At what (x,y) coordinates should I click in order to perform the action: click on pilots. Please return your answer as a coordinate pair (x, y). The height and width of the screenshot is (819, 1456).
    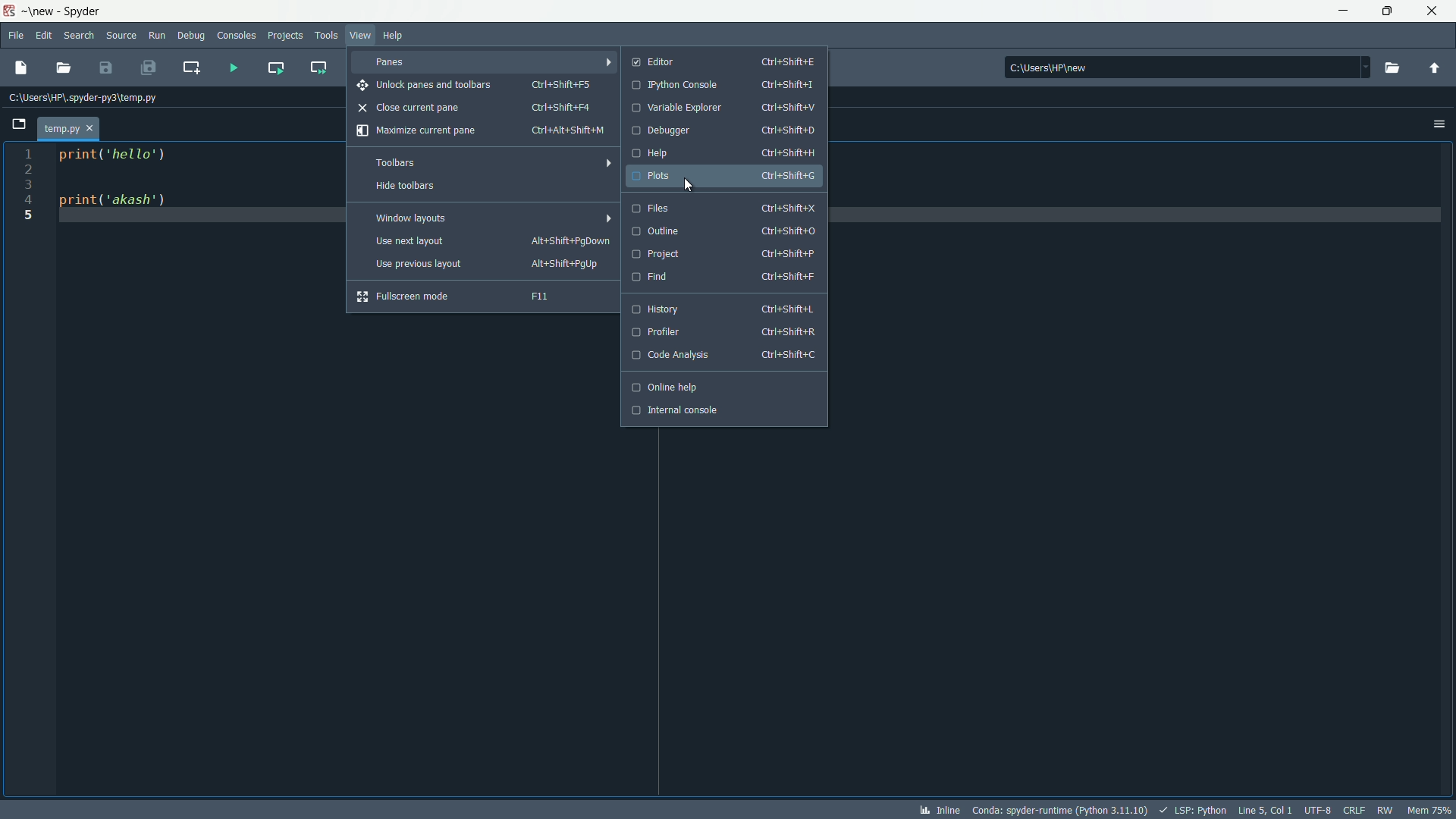
    Looking at the image, I should click on (723, 175).